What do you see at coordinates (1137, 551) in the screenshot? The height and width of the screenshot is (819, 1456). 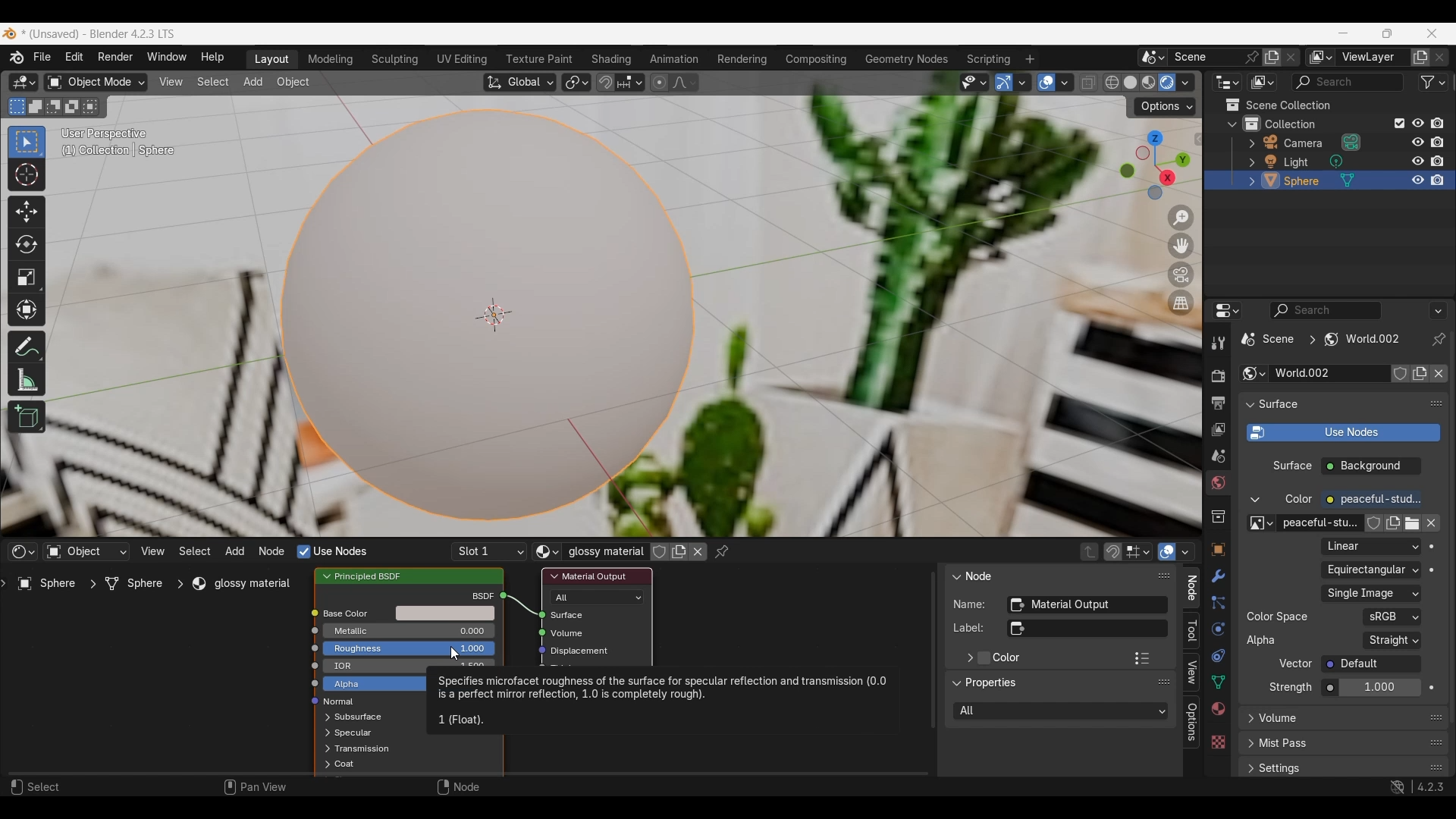 I see `Stop node element` at bounding box center [1137, 551].